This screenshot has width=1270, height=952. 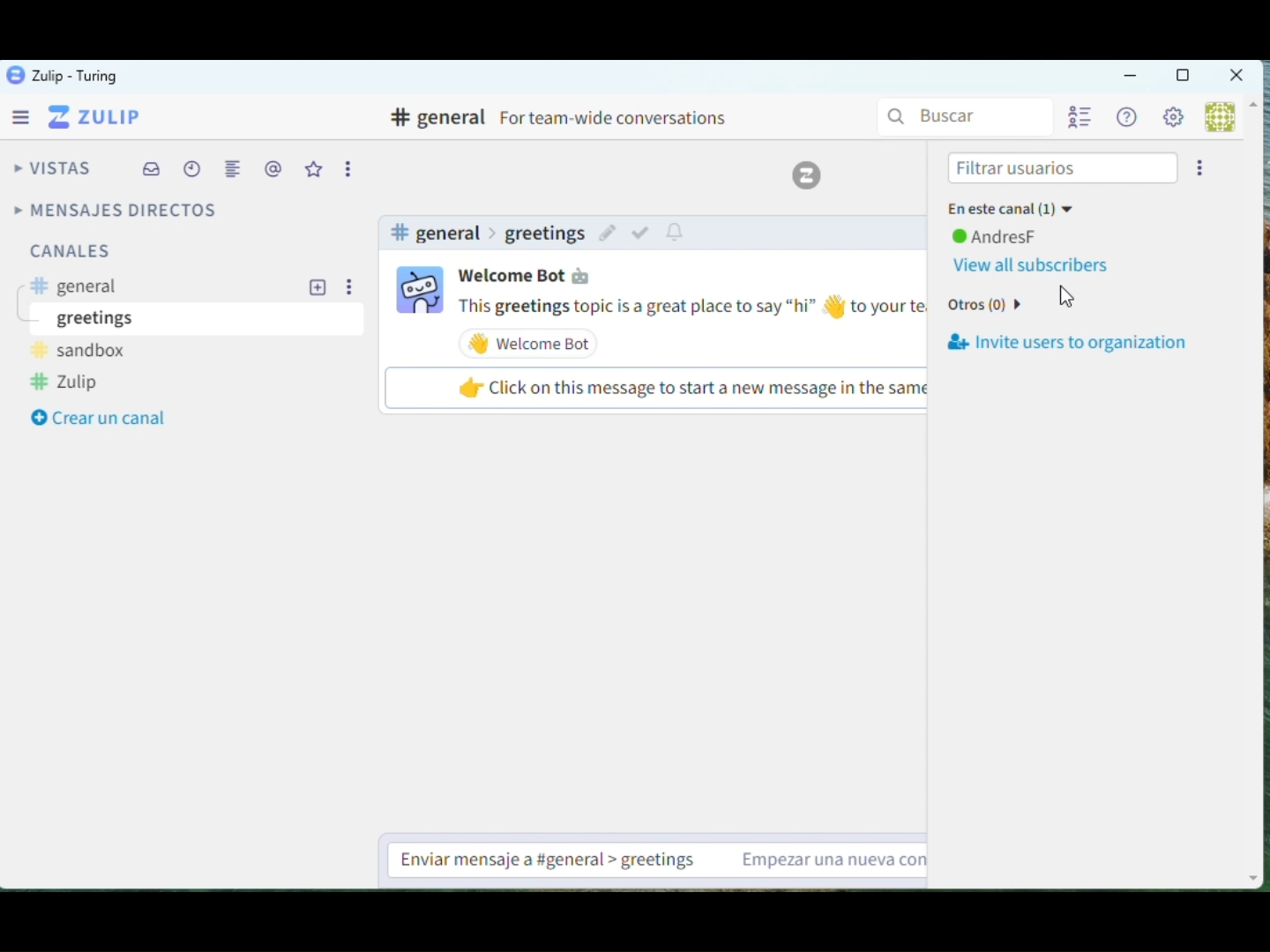 What do you see at coordinates (418, 289) in the screenshot?
I see `user profile` at bounding box center [418, 289].